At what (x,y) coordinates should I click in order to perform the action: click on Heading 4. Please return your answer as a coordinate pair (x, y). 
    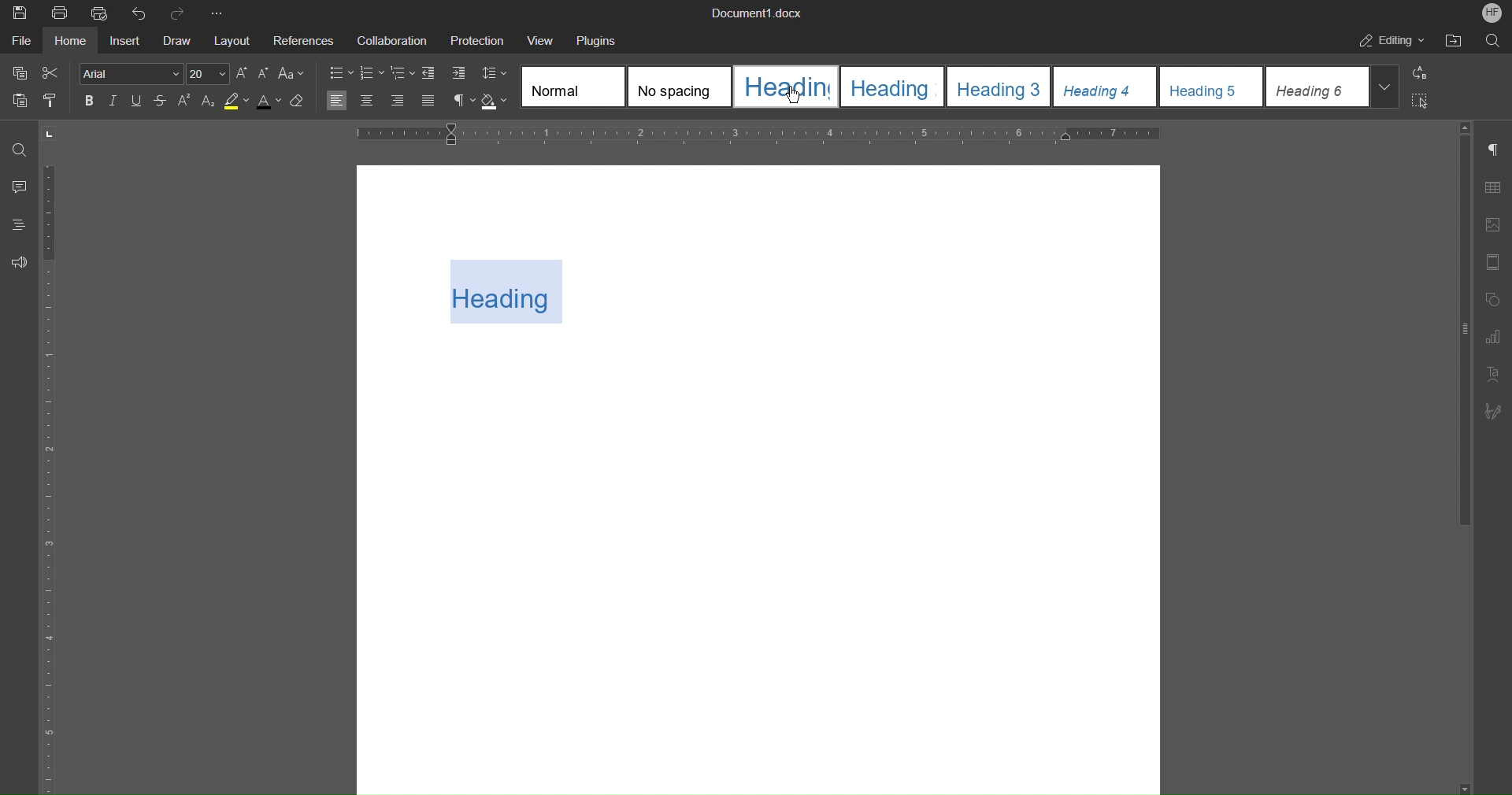
    Looking at the image, I should click on (1109, 87).